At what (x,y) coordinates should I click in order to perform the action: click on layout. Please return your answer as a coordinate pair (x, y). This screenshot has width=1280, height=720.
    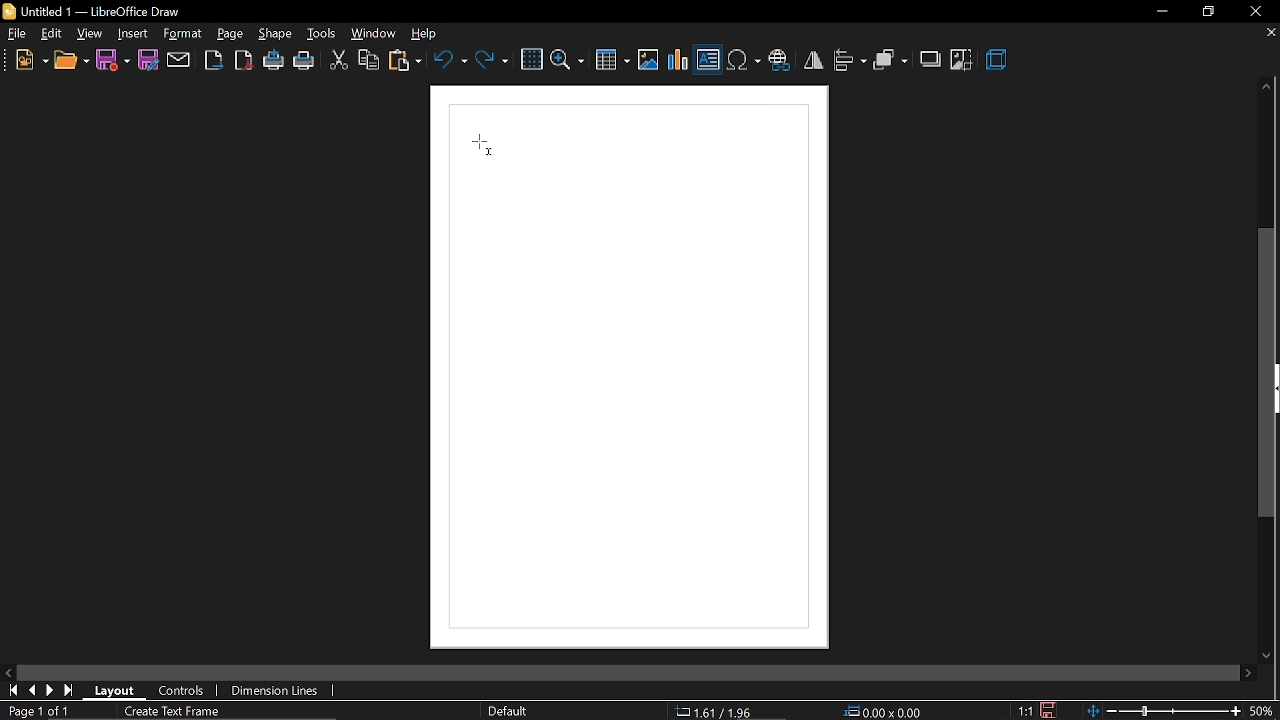
    Looking at the image, I should click on (121, 690).